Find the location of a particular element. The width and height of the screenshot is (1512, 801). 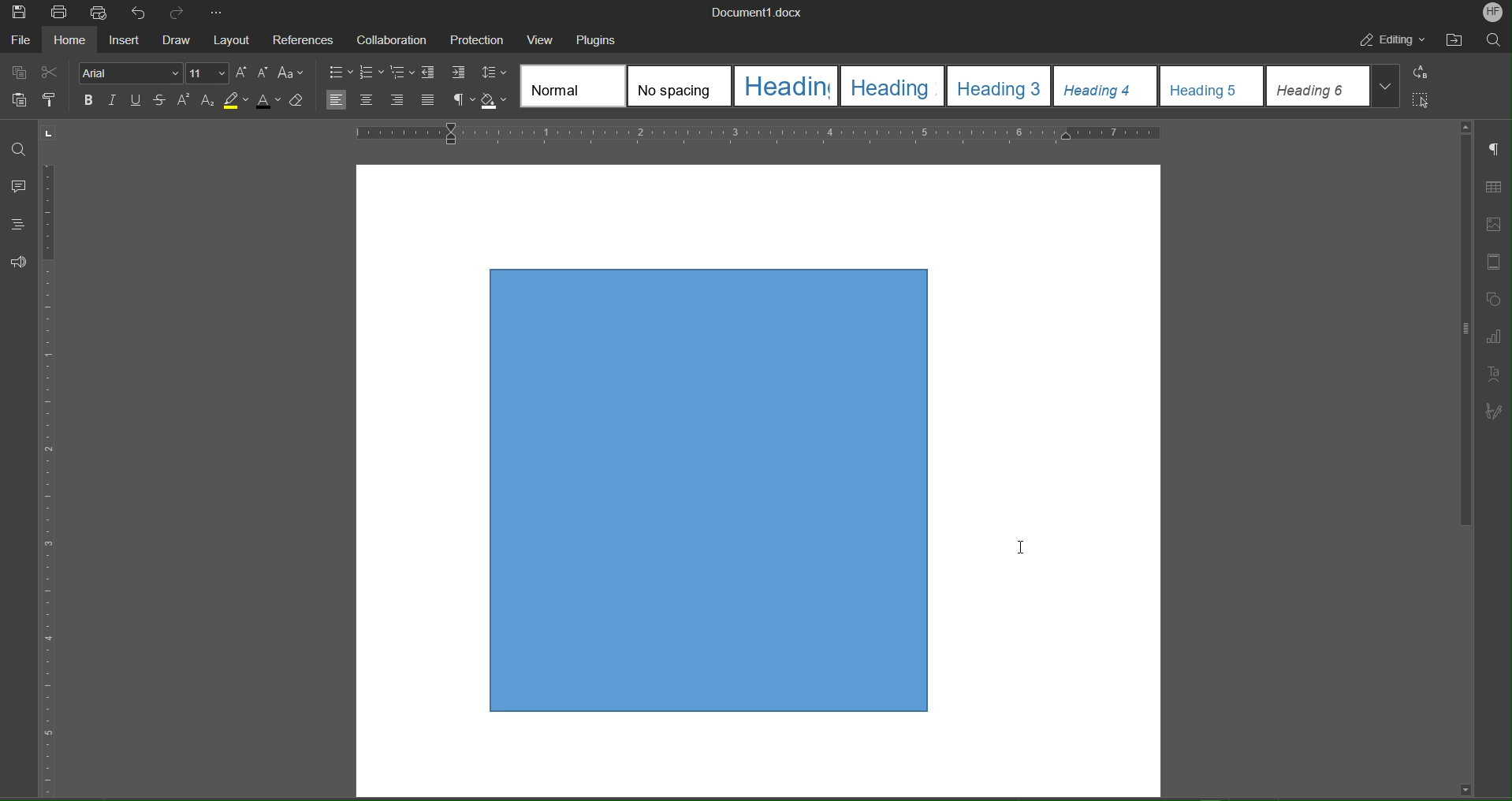

Signature is located at coordinates (1494, 412).